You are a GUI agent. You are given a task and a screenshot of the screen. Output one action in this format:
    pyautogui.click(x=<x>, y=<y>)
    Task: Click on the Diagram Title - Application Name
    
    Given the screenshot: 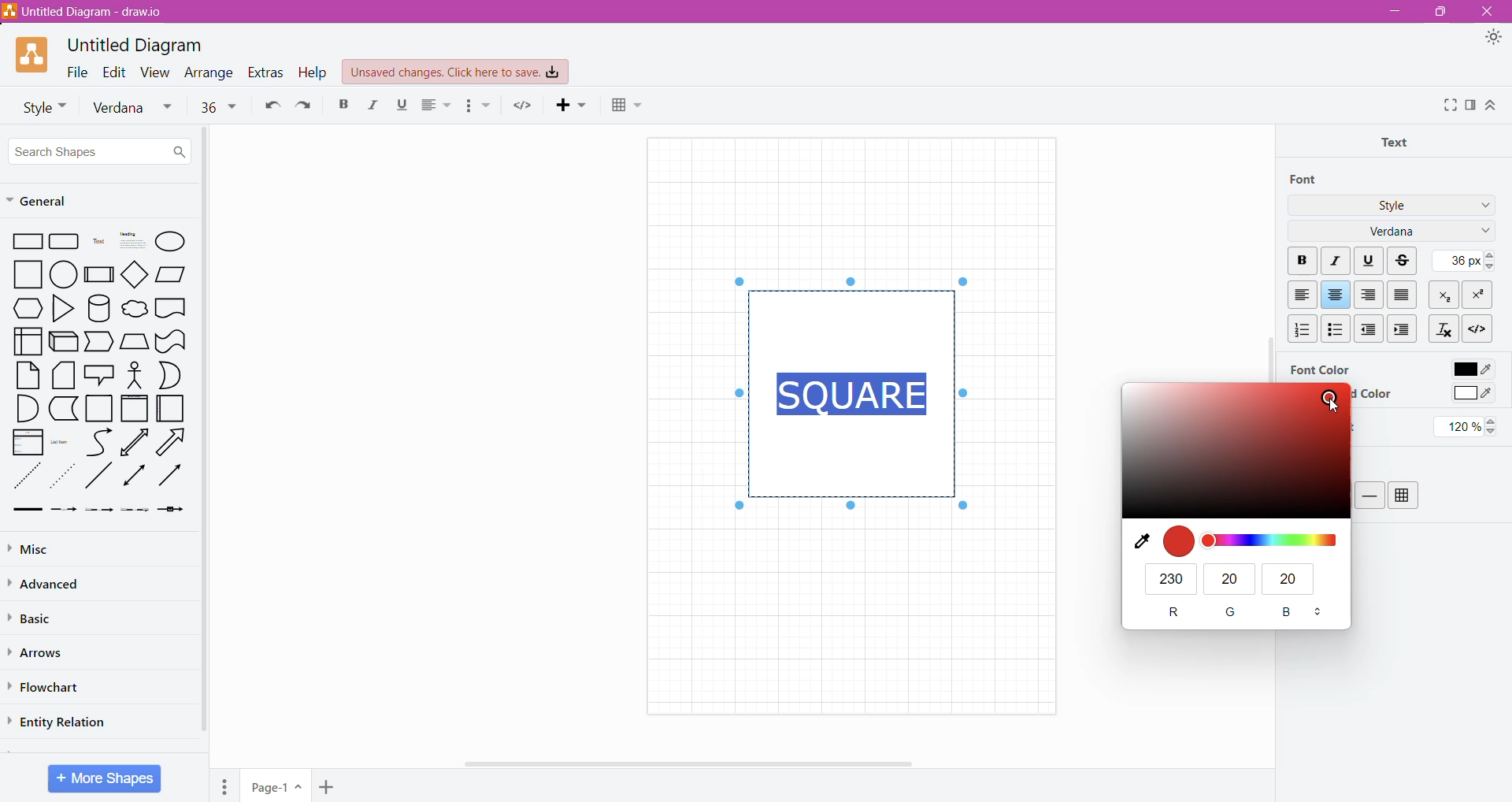 What is the action you would take?
    pyautogui.click(x=91, y=12)
    